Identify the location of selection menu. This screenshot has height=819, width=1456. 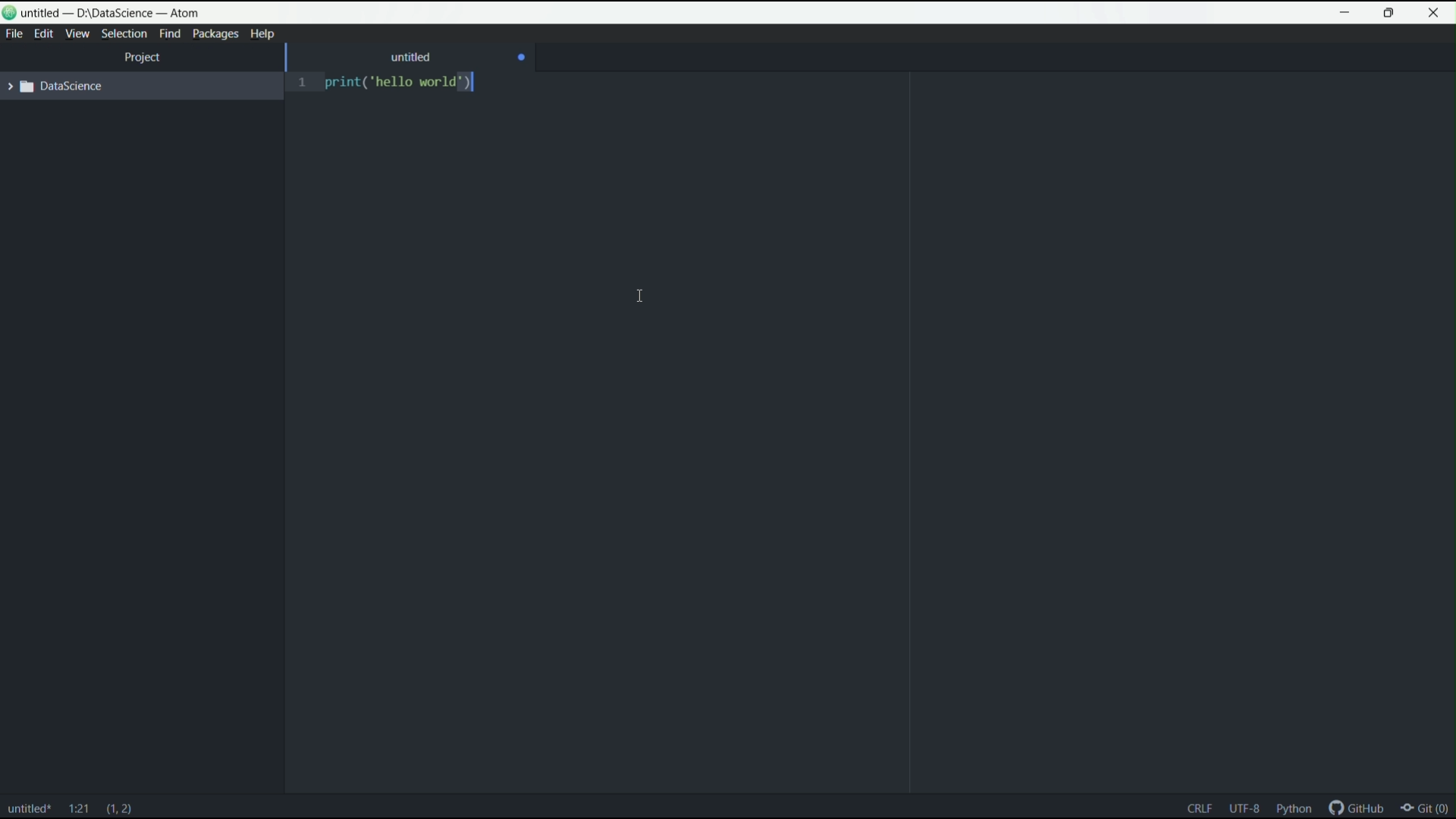
(124, 34).